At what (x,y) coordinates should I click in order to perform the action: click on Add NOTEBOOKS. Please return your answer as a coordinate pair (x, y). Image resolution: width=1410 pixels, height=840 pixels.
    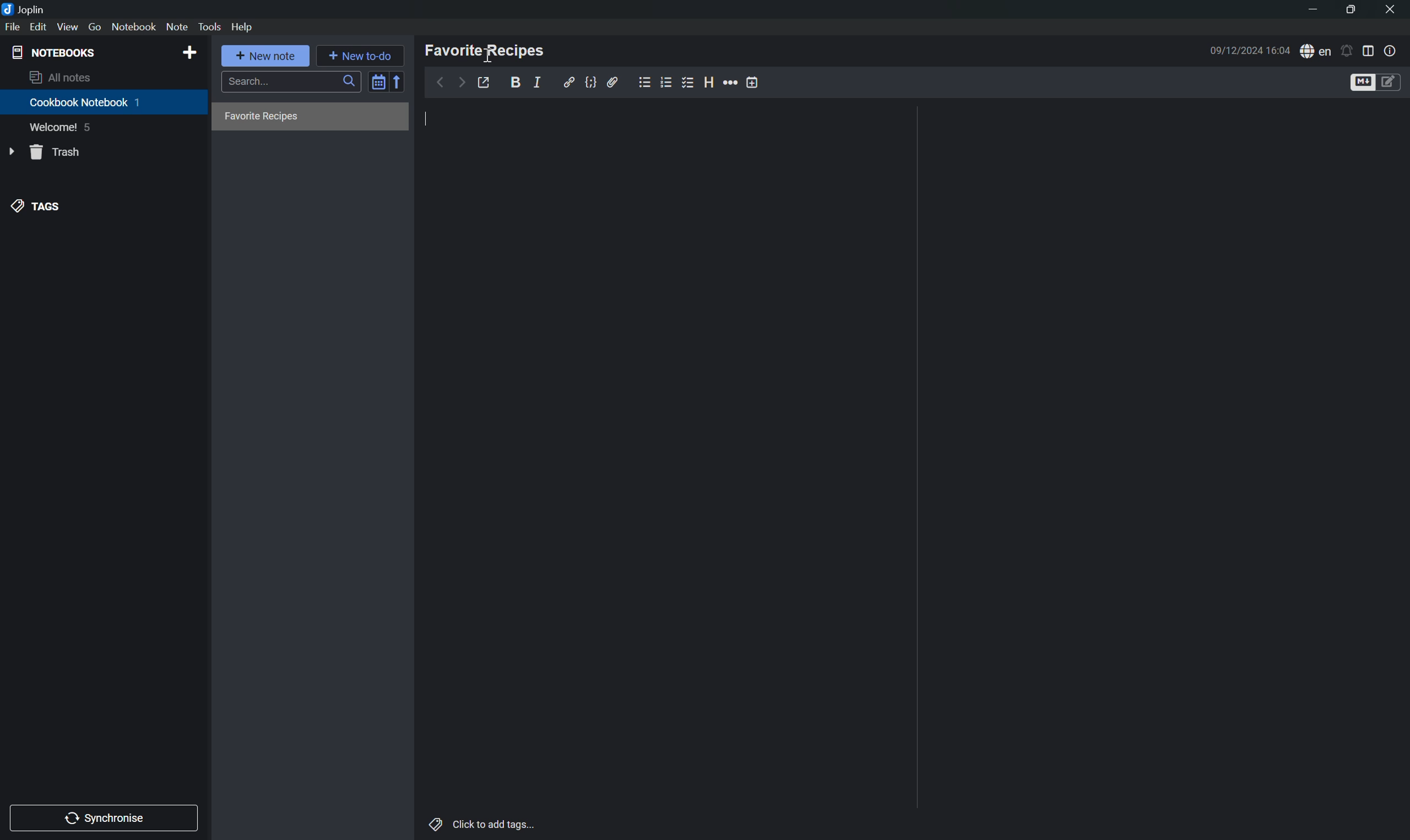
    Looking at the image, I should click on (190, 52).